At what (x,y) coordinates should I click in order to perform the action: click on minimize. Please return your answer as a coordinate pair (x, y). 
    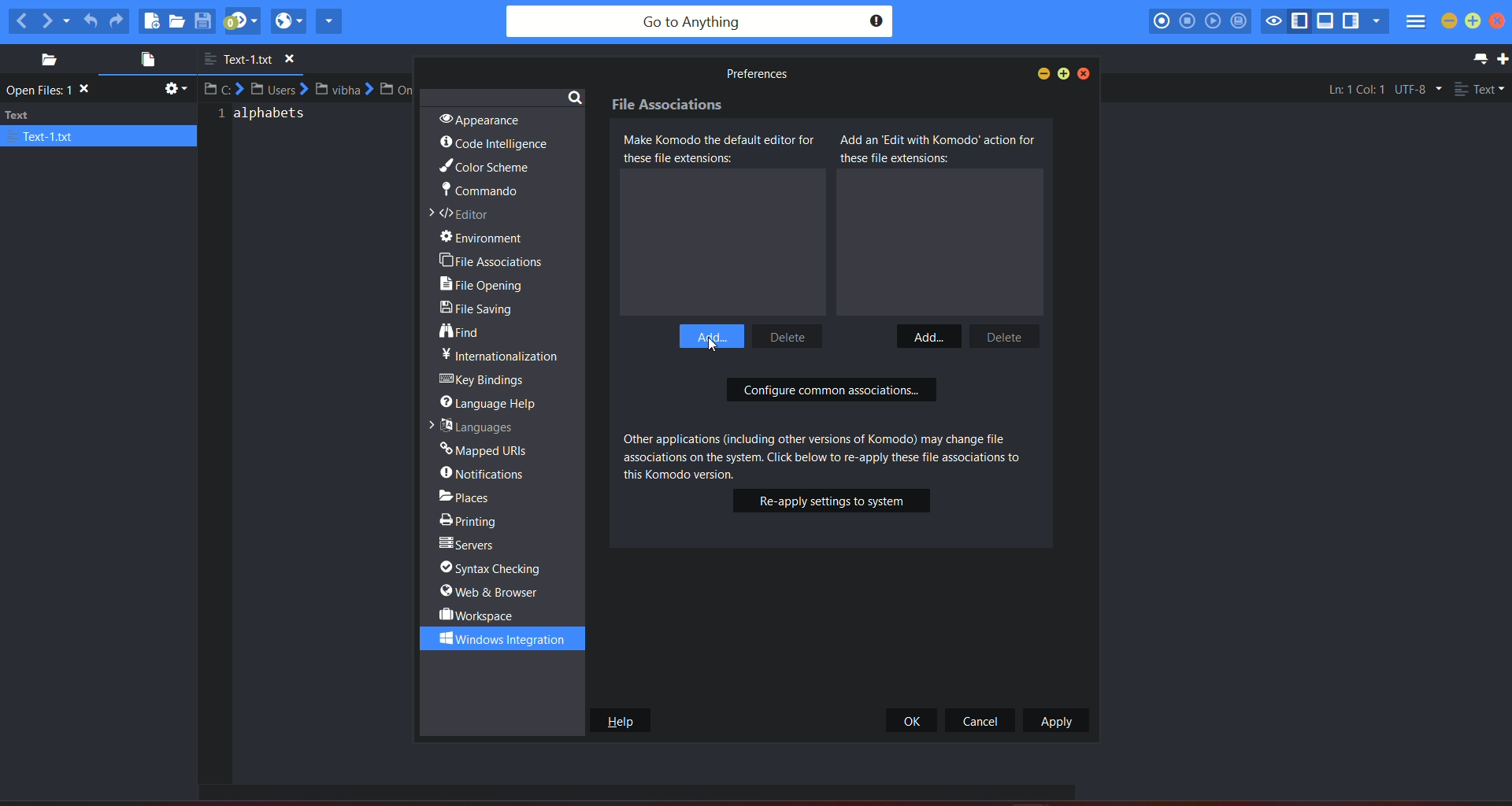
    Looking at the image, I should click on (1040, 73).